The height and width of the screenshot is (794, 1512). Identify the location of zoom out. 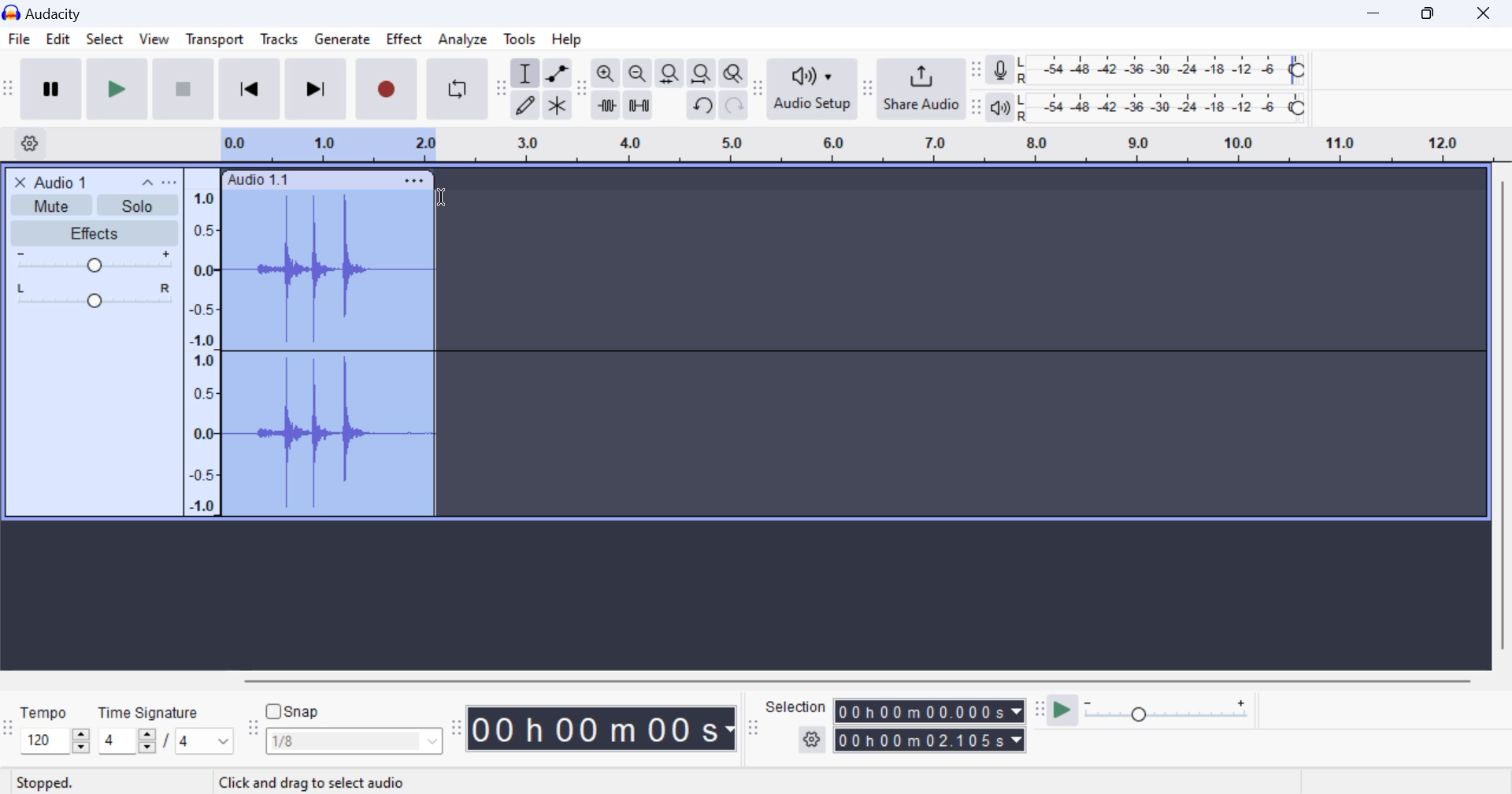
(637, 75).